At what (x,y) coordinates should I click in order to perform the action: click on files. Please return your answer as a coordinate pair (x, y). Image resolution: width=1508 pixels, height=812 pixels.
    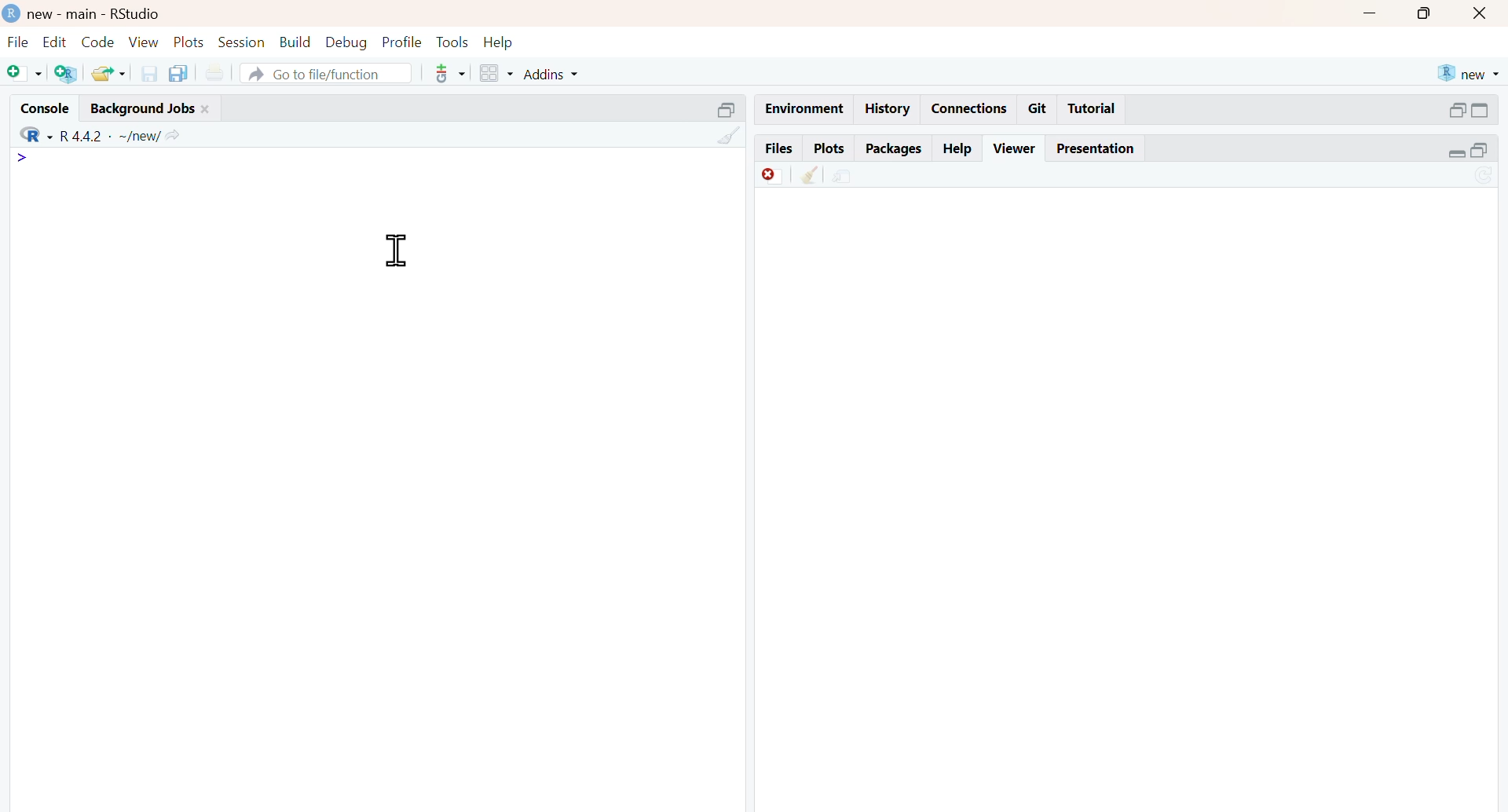
    Looking at the image, I should click on (778, 149).